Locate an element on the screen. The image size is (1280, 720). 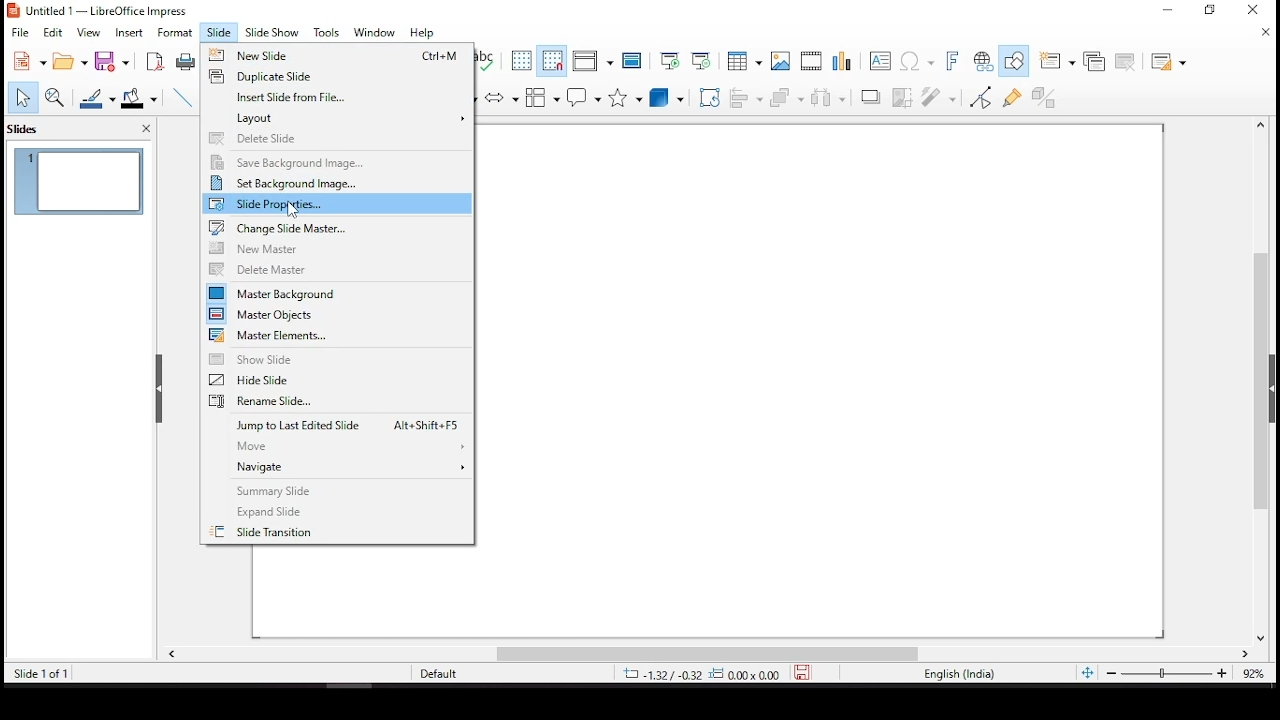
duplicate slide is located at coordinates (1094, 61).